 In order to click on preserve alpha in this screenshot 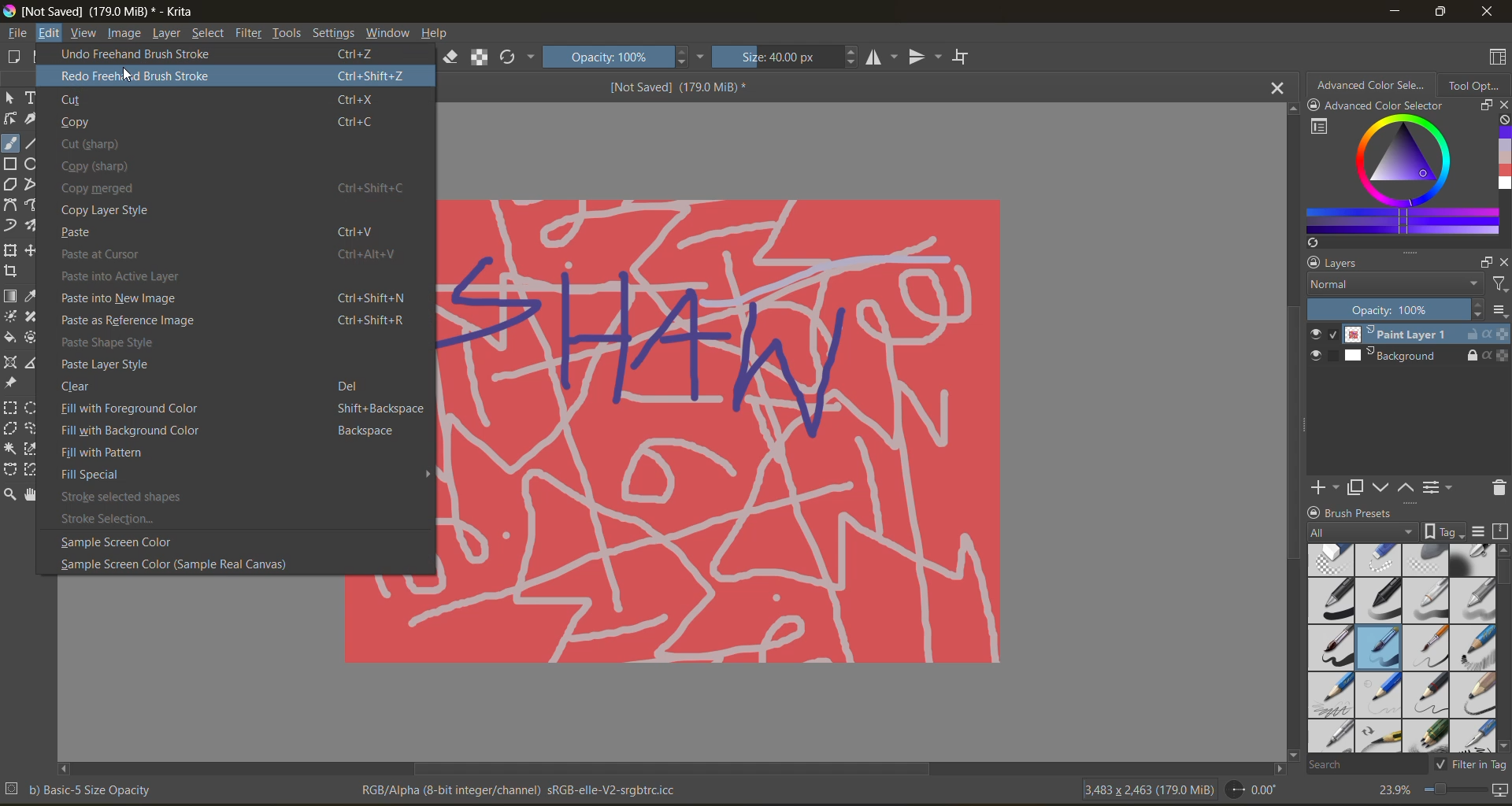, I will do `click(481, 57)`.